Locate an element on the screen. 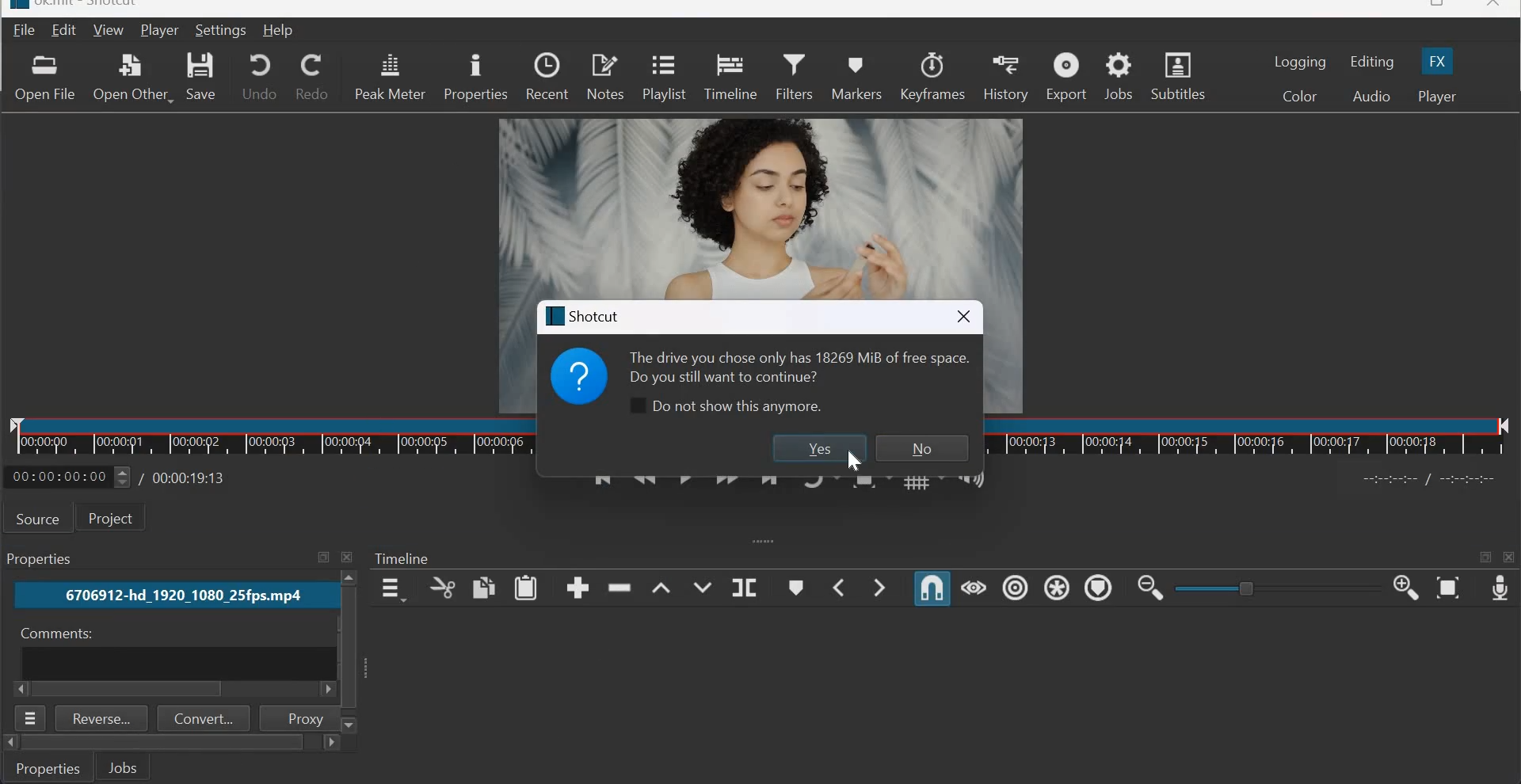  append is located at coordinates (578, 588).